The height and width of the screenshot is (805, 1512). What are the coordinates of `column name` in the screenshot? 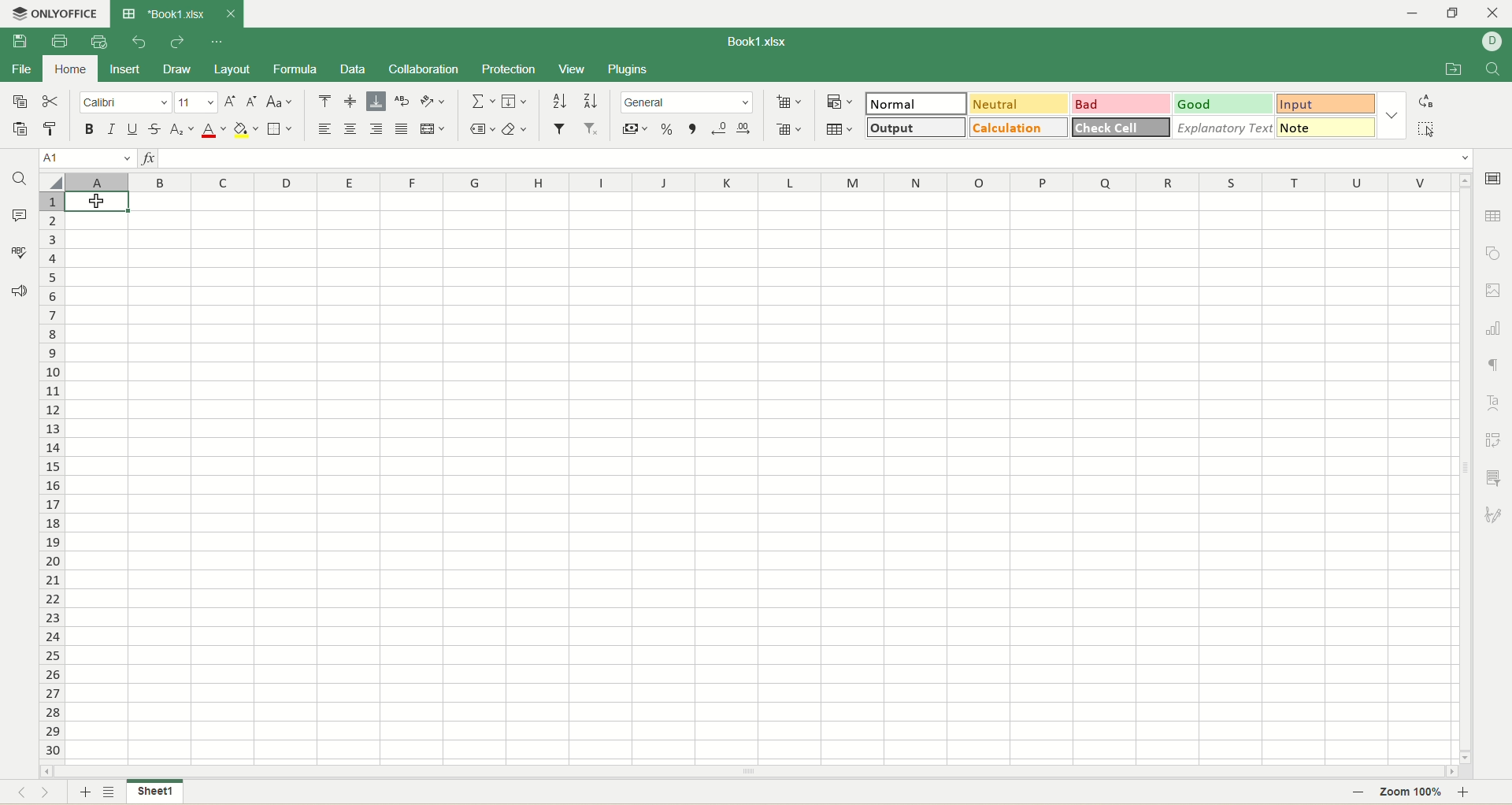 It's located at (755, 180).